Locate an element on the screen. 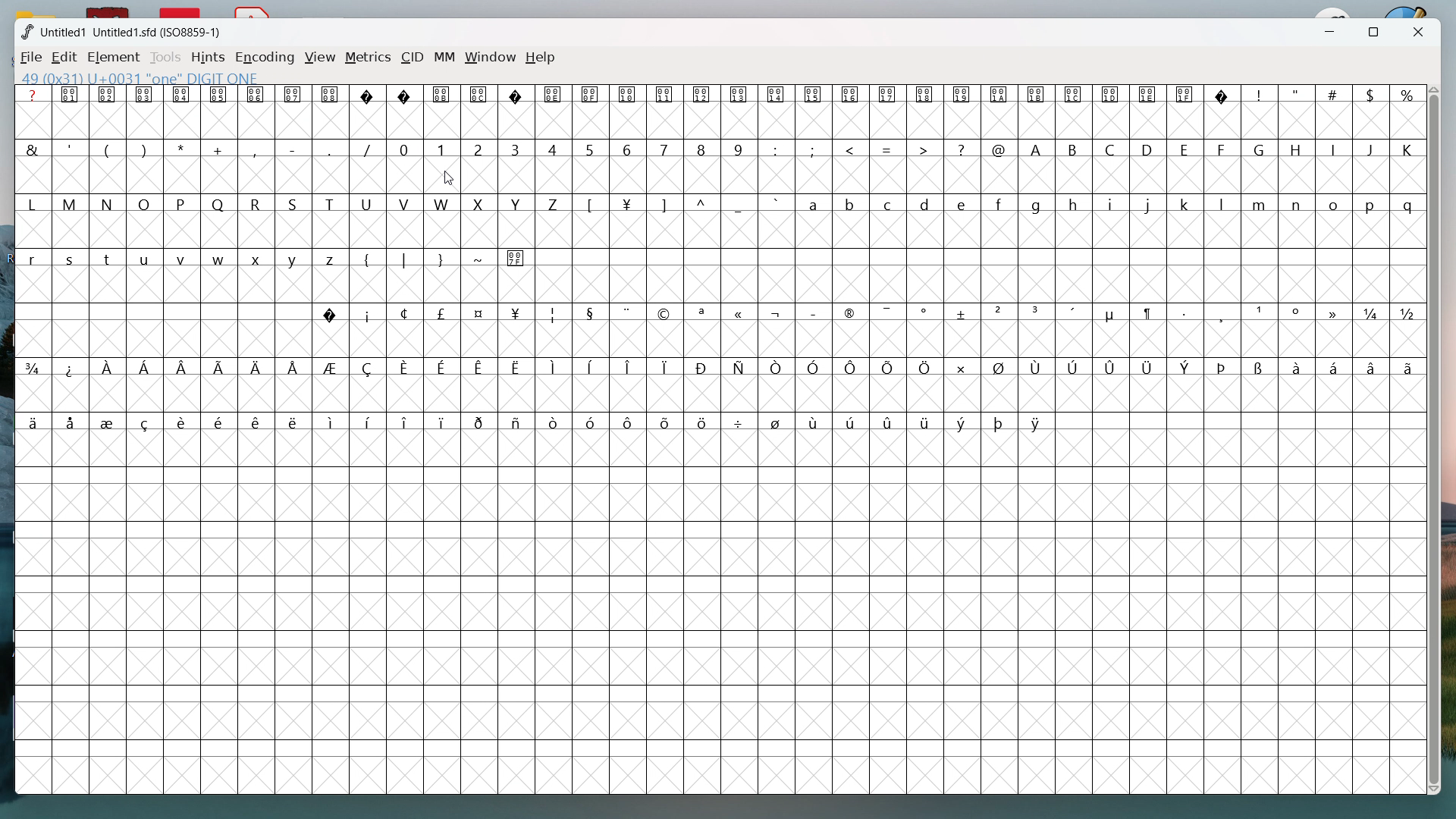 Image resolution: width=1456 pixels, height=819 pixels. symbol is located at coordinates (1186, 313).